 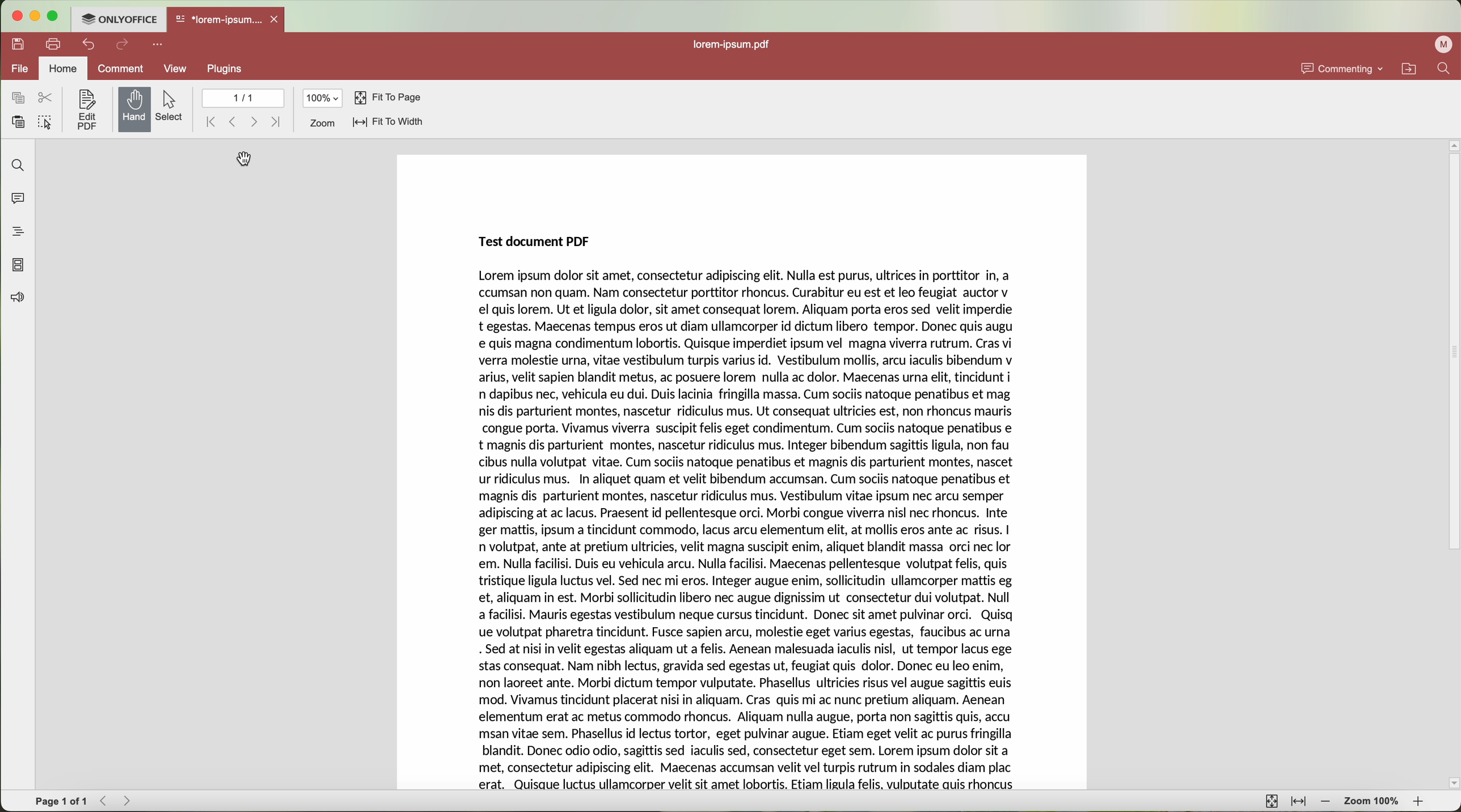 What do you see at coordinates (244, 122) in the screenshot?
I see `navigate arrows` at bounding box center [244, 122].